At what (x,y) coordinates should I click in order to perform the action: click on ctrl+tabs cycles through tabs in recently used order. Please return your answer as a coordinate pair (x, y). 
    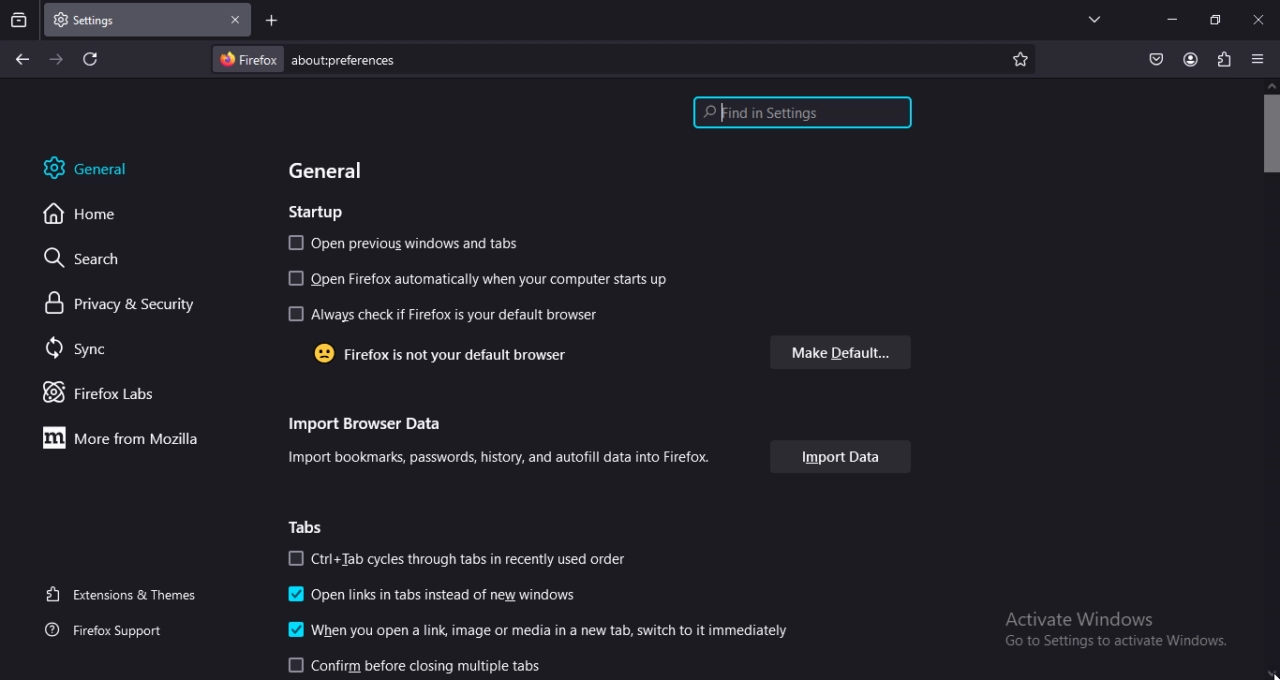
    Looking at the image, I should click on (466, 559).